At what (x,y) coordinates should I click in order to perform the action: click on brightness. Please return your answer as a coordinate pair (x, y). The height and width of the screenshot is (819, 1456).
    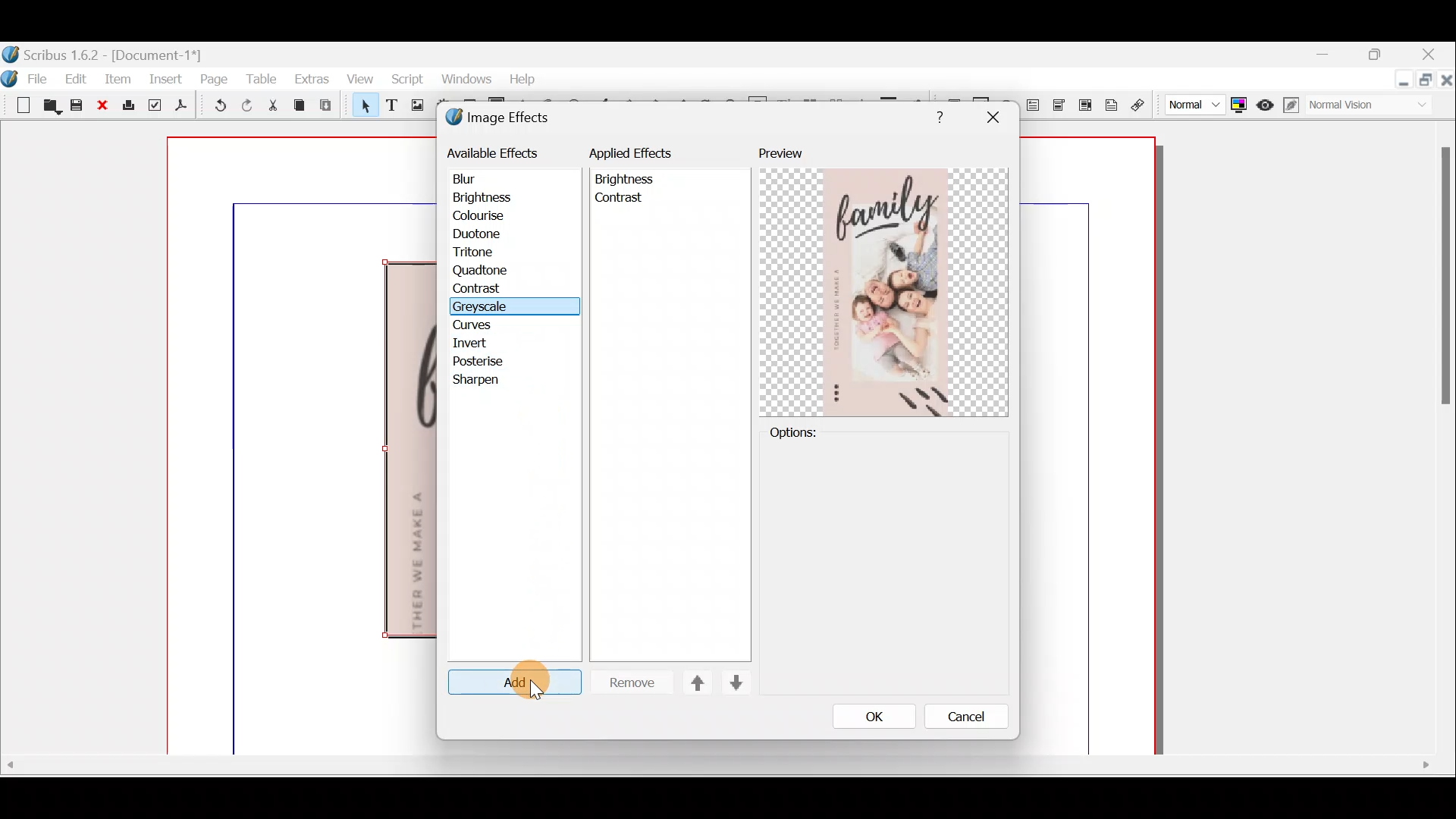
    Looking at the image, I should click on (488, 197).